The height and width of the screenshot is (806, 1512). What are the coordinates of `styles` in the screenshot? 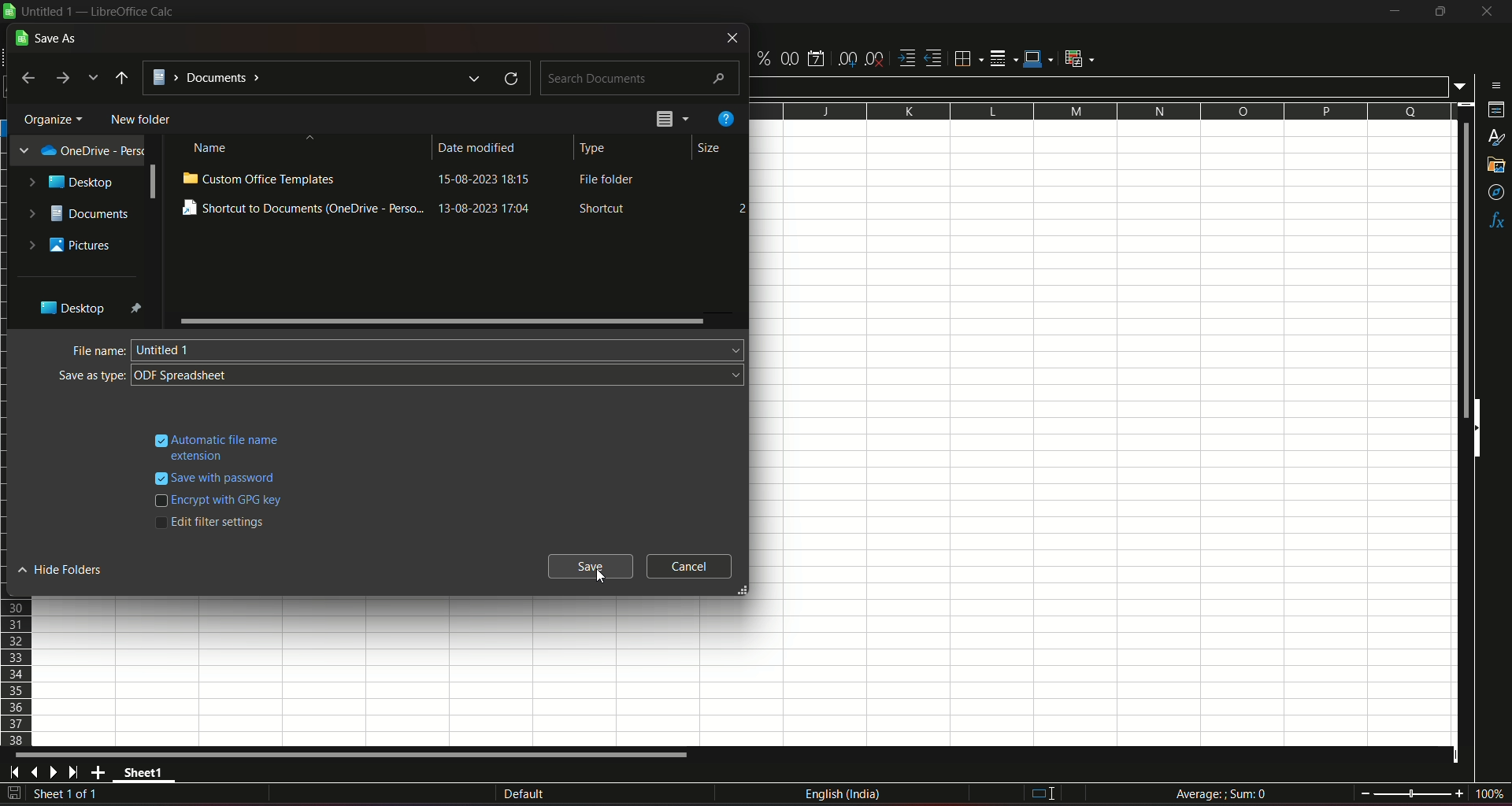 It's located at (1496, 139).